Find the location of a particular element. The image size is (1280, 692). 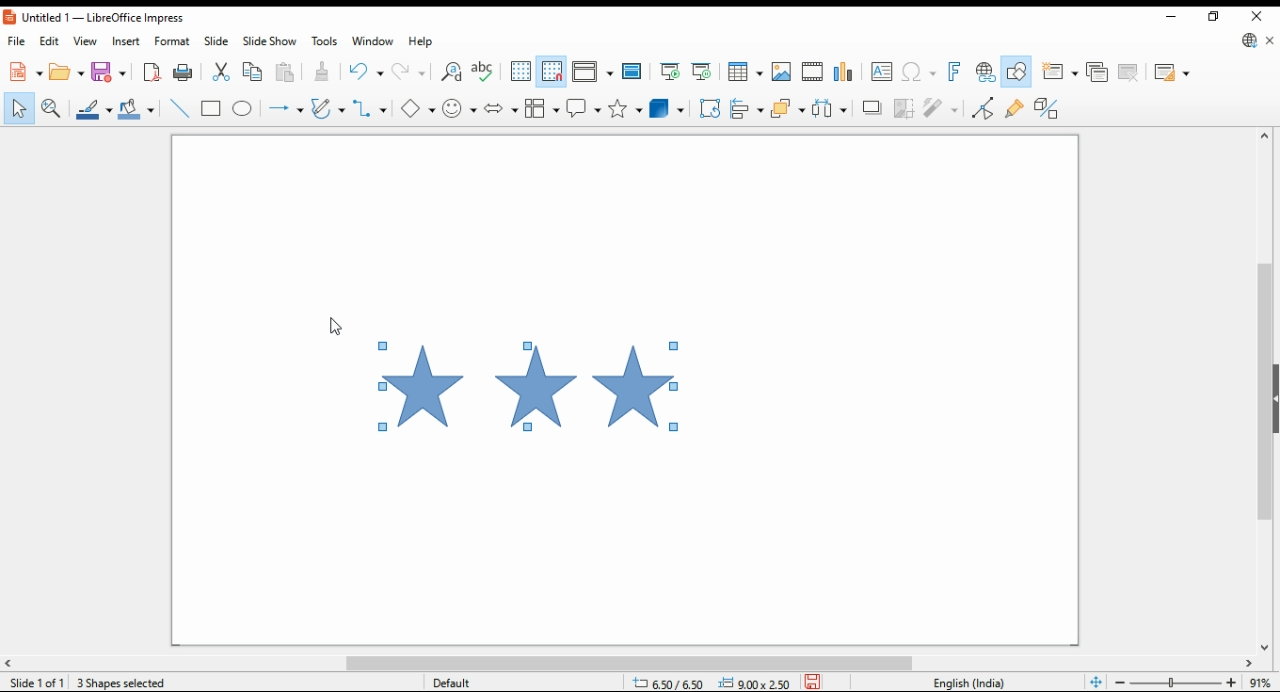

grouped is located at coordinates (531, 387).